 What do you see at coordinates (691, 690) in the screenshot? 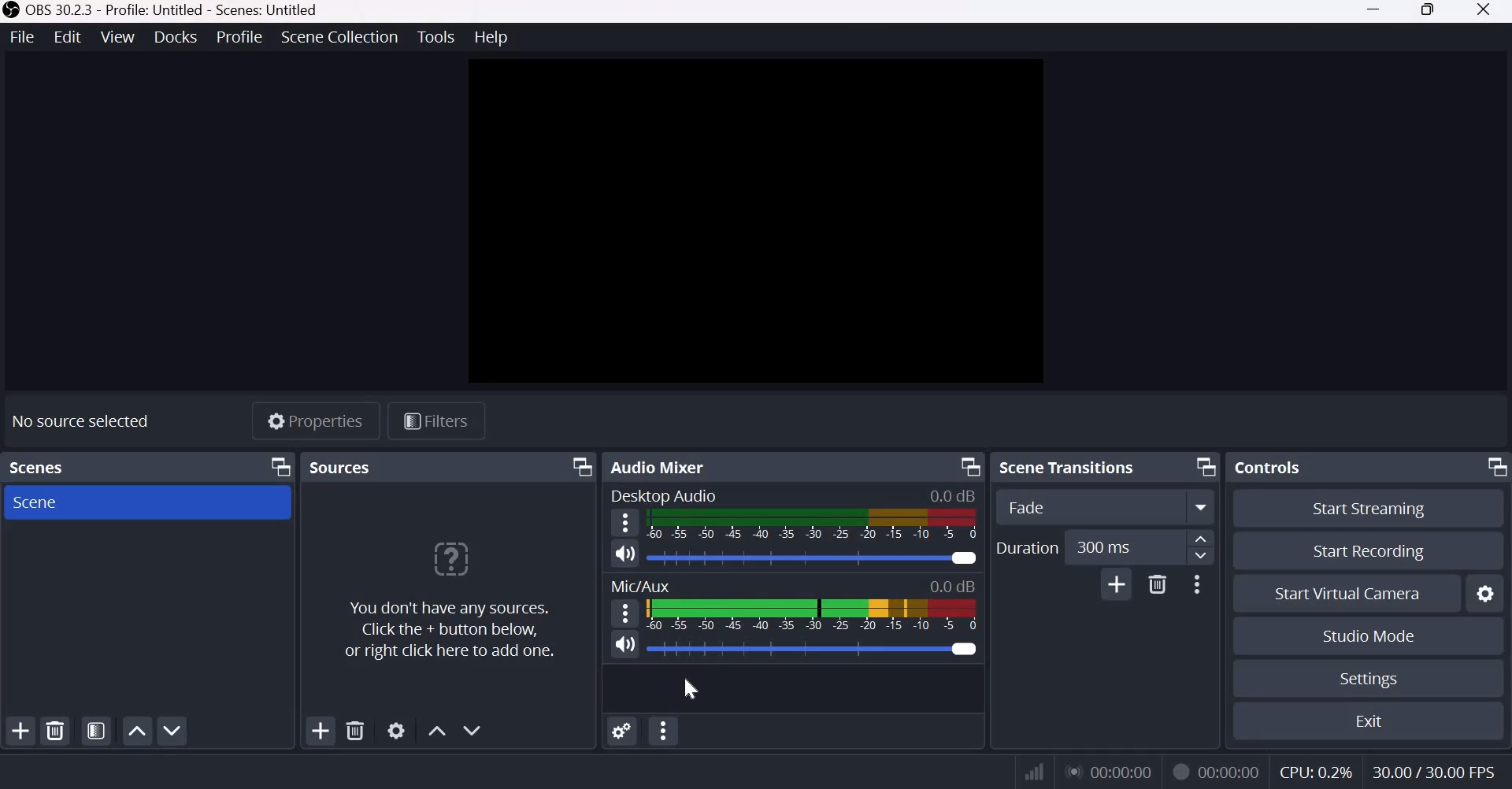
I see `cursor` at bounding box center [691, 690].